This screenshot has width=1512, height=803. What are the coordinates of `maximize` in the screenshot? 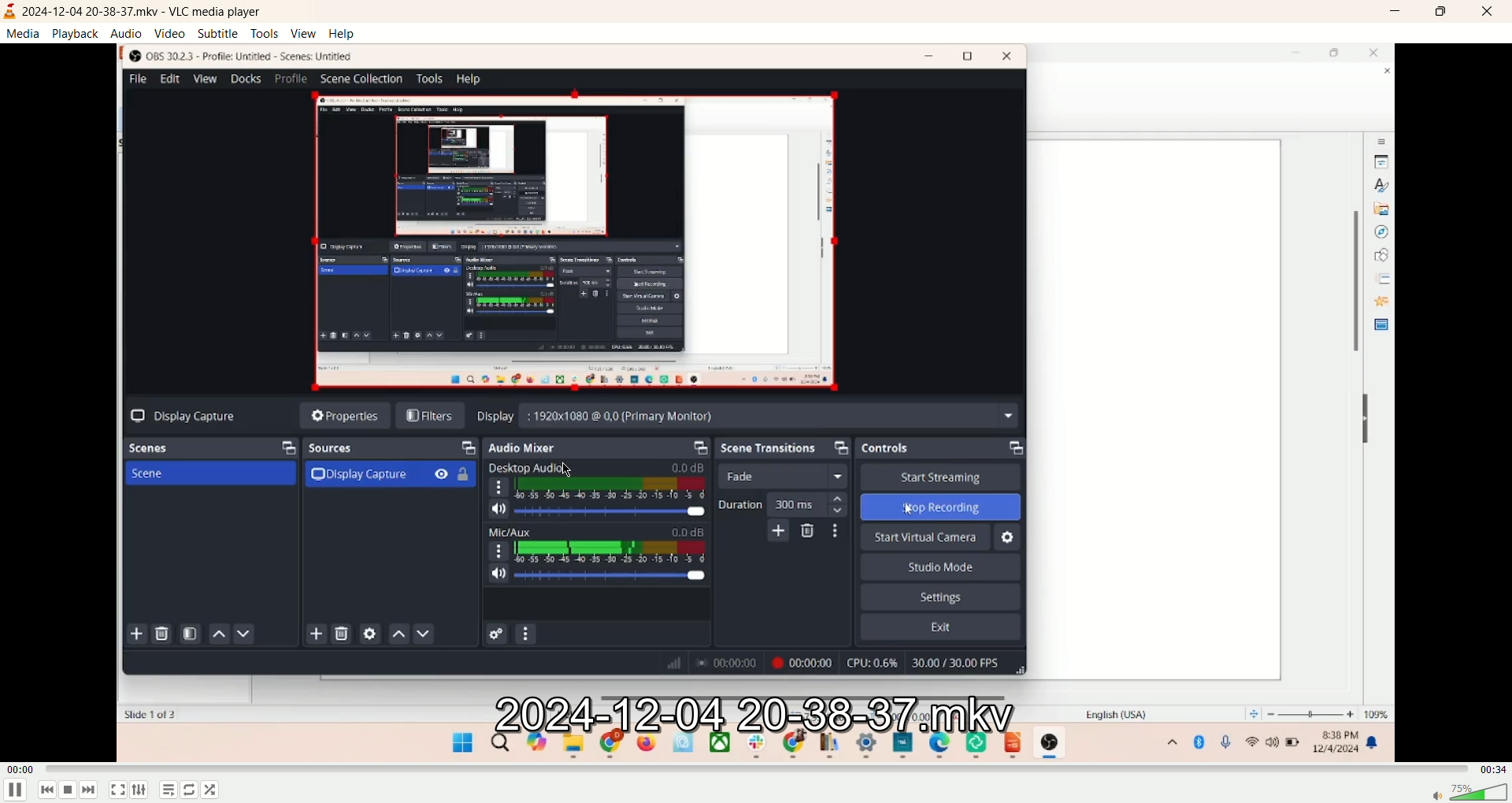 It's located at (1442, 13).